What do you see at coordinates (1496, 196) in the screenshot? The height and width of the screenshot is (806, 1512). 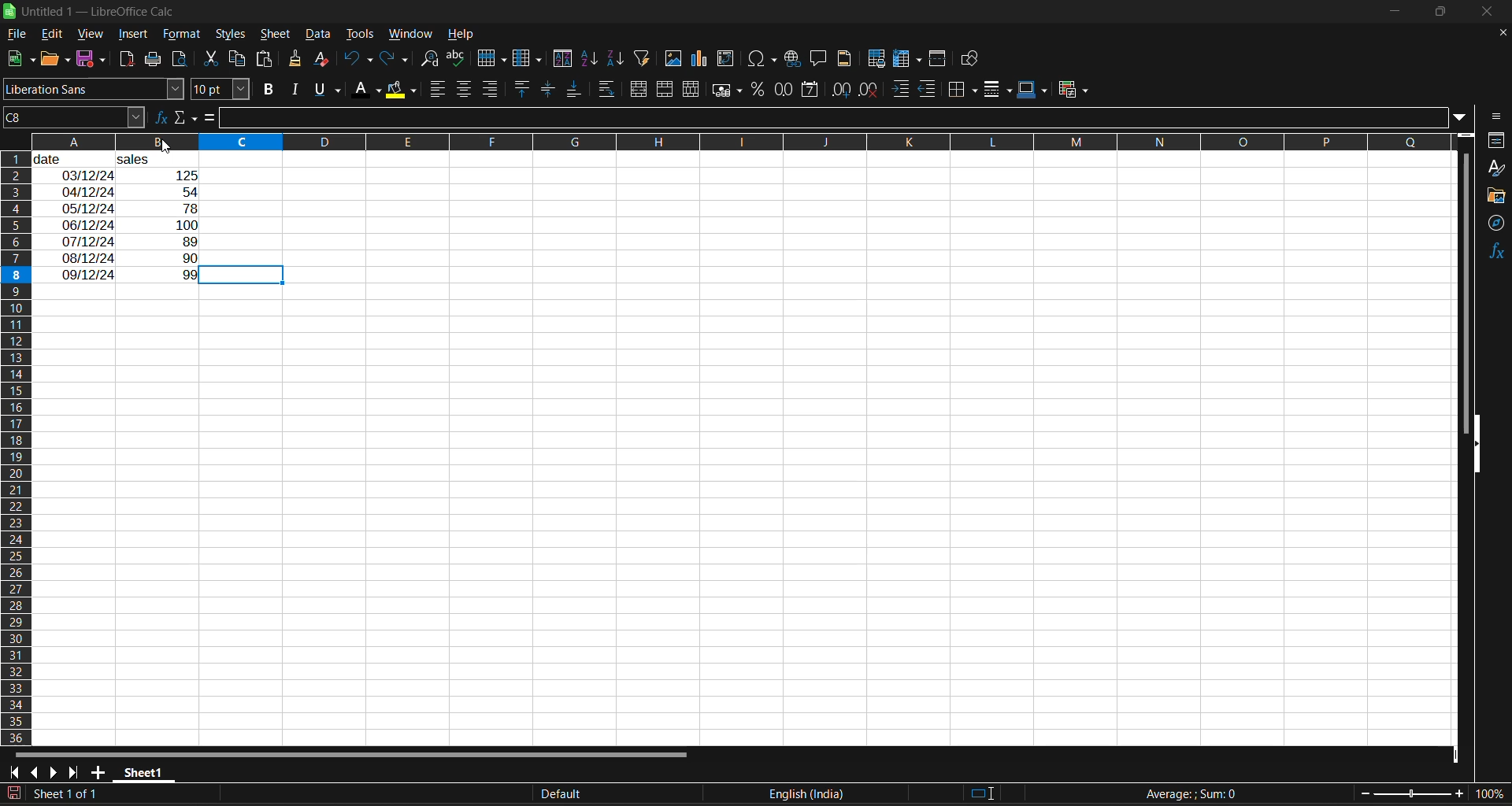 I see `gallery` at bounding box center [1496, 196].